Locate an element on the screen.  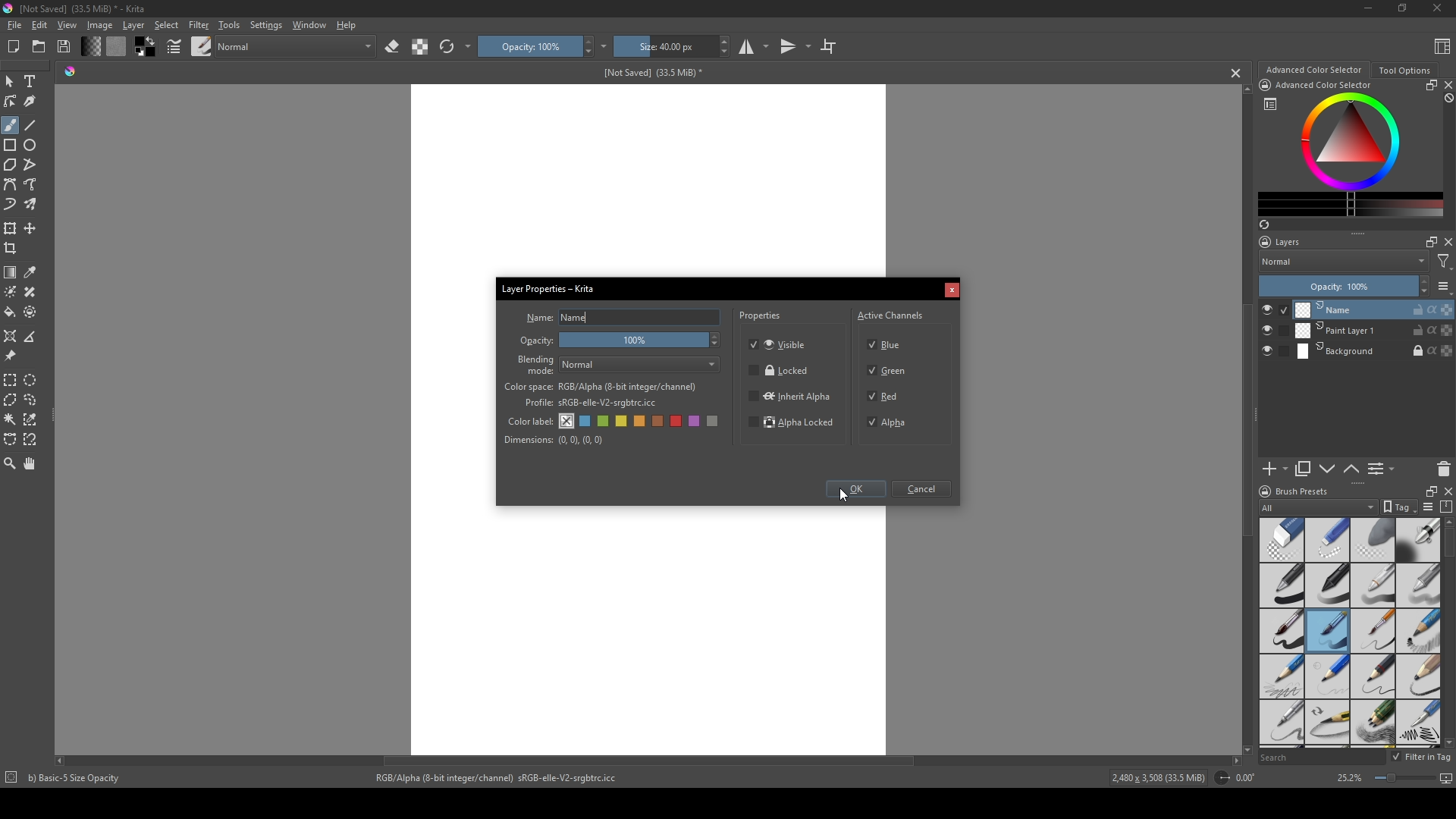
rectangle is located at coordinates (11, 146).